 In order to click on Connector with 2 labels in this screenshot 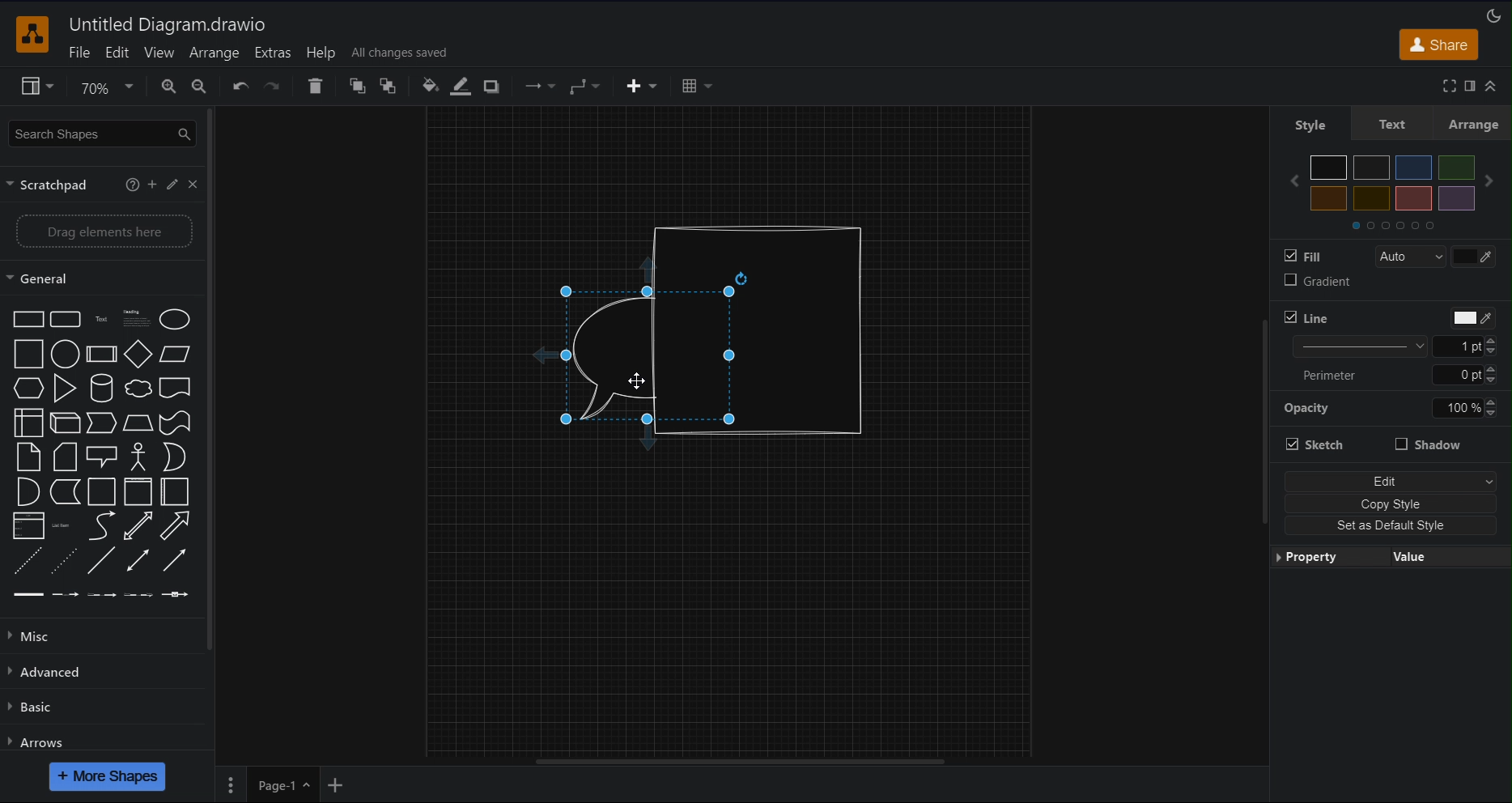, I will do `click(101, 595)`.